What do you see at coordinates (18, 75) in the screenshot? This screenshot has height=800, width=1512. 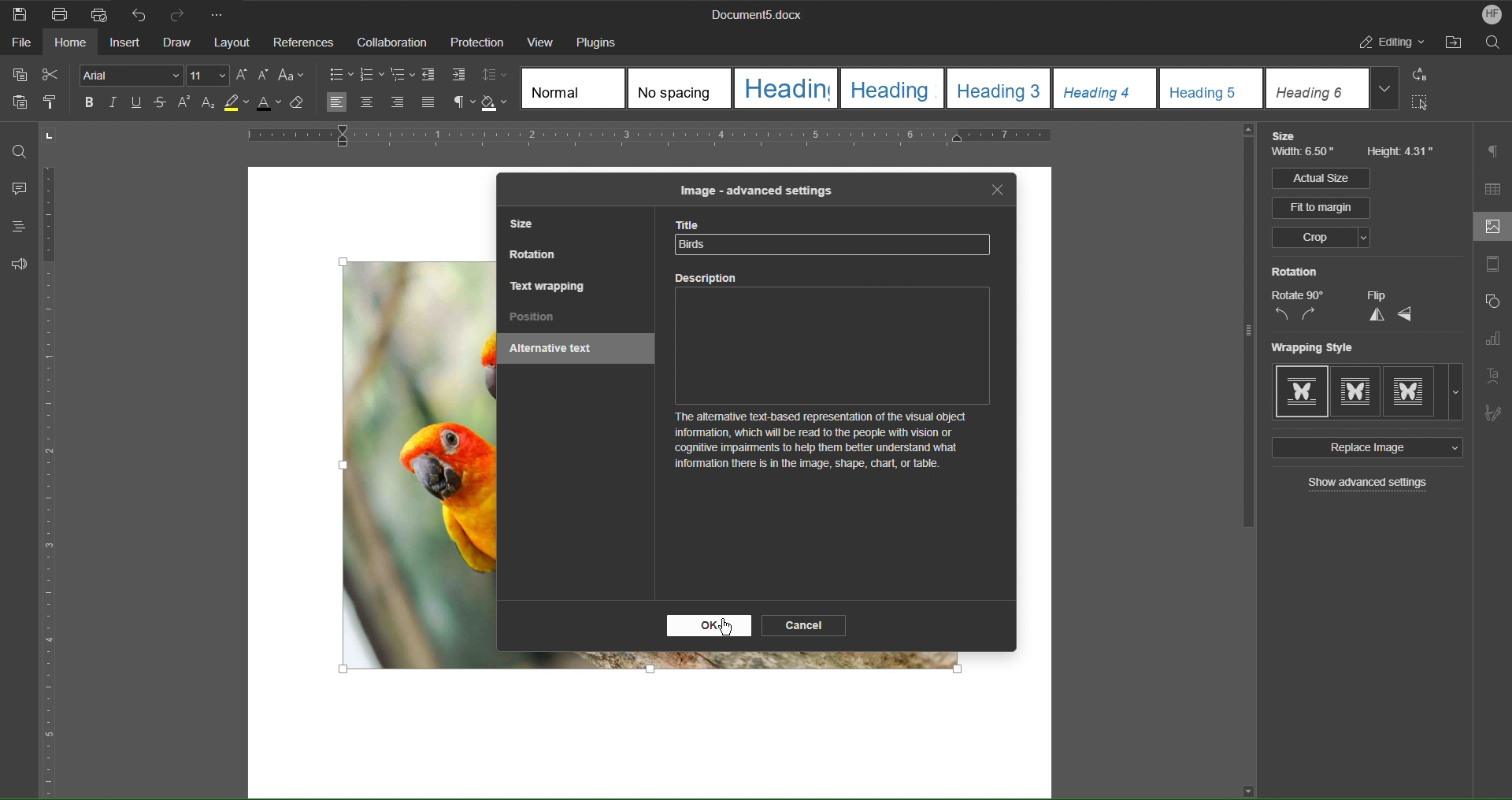 I see `Copy` at bounding box center [18, 75].